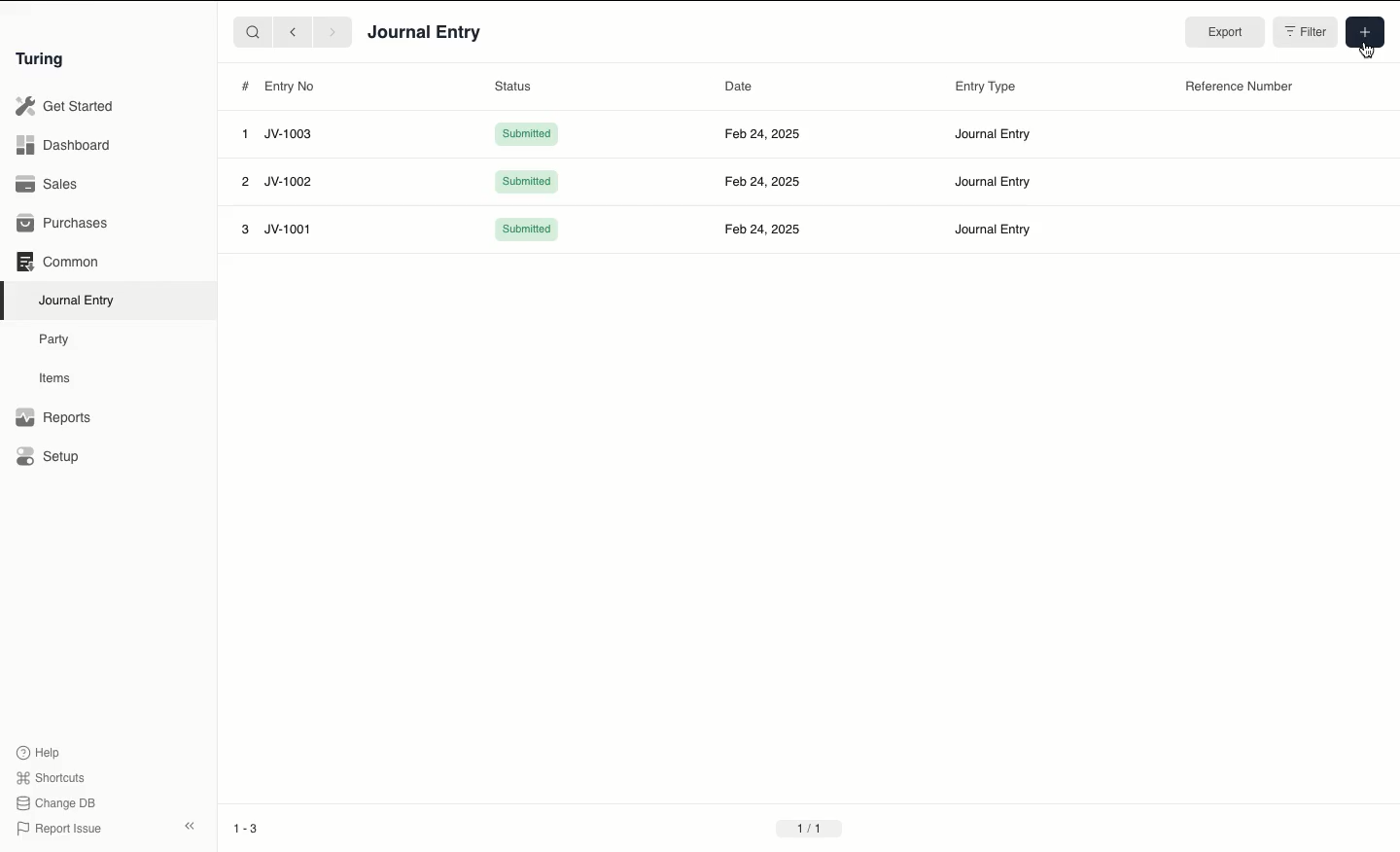  I want to click on Purchases, so click(63, 225).